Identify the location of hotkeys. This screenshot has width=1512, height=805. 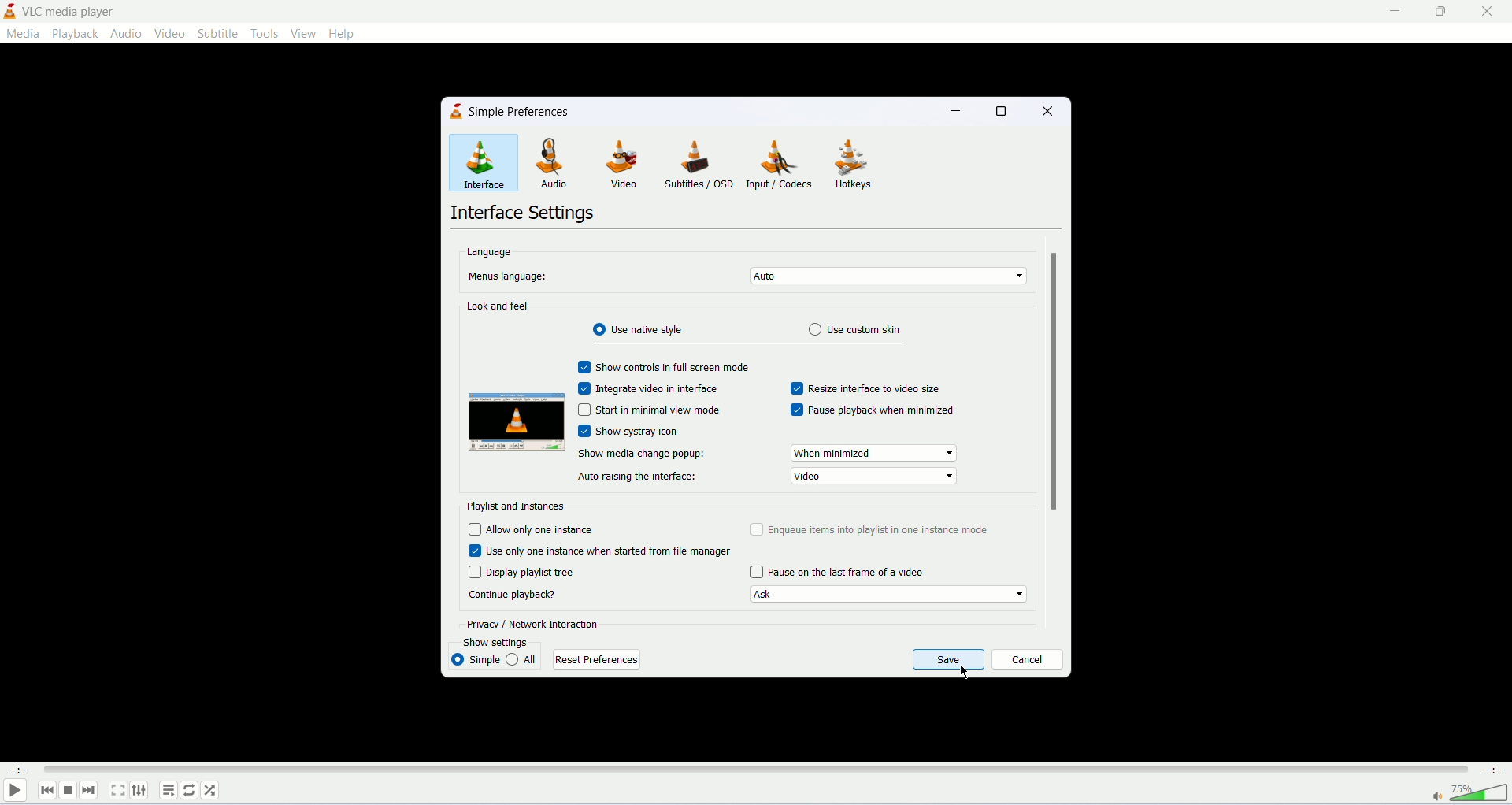
(852, 167).